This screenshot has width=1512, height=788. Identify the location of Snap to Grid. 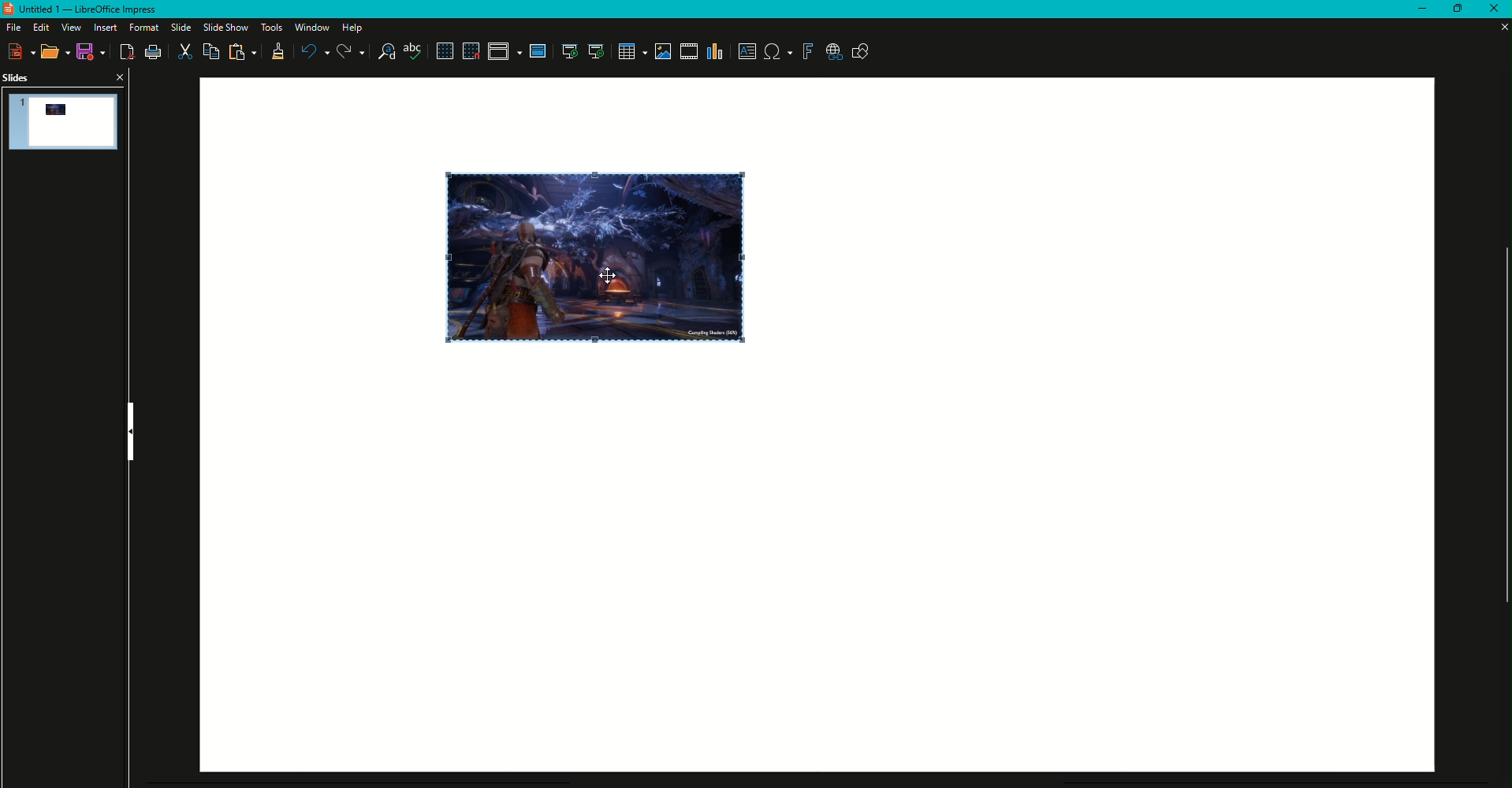
(471, 51).